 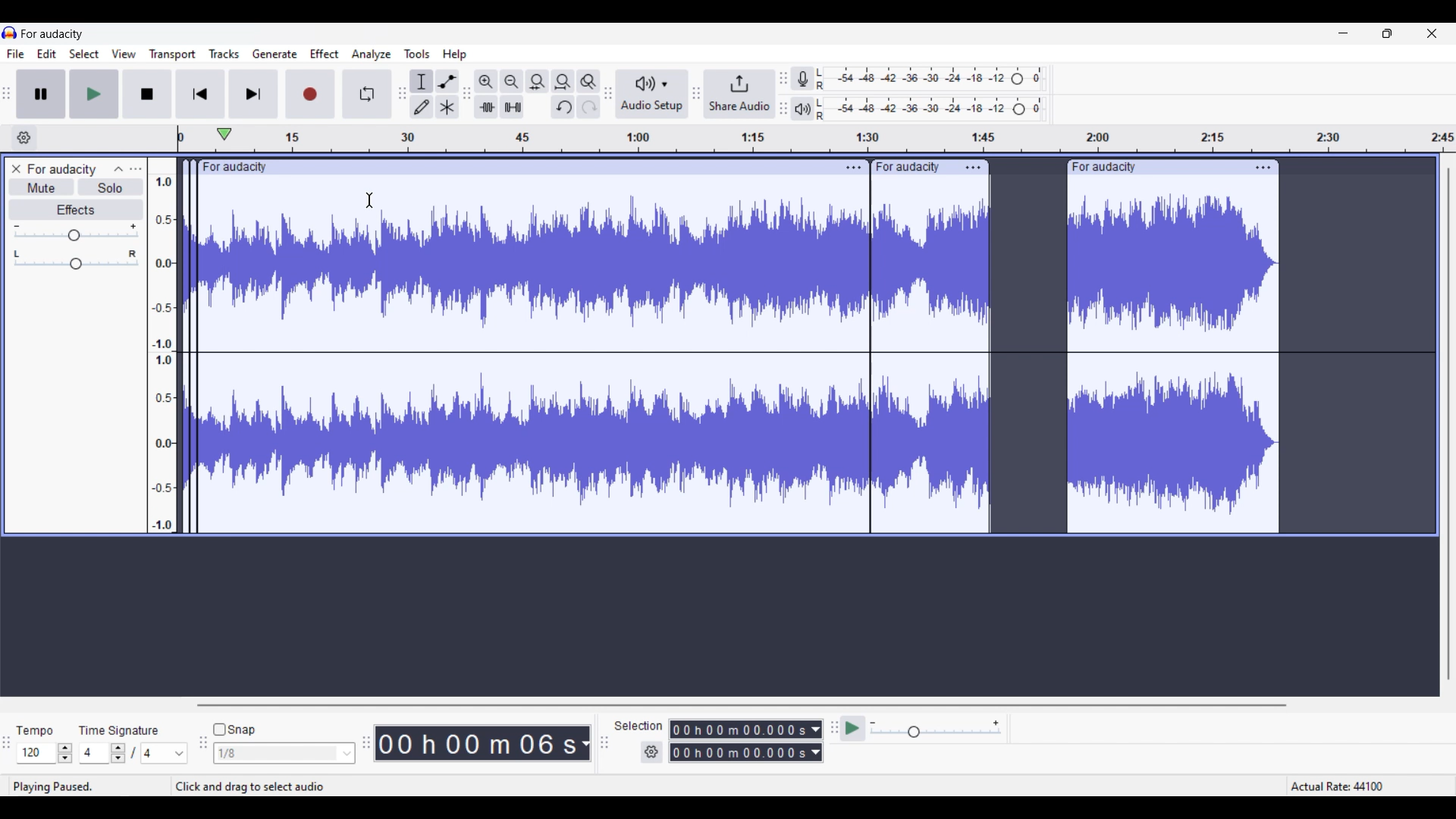 I want to click on track options, so click(x=972, y=166).